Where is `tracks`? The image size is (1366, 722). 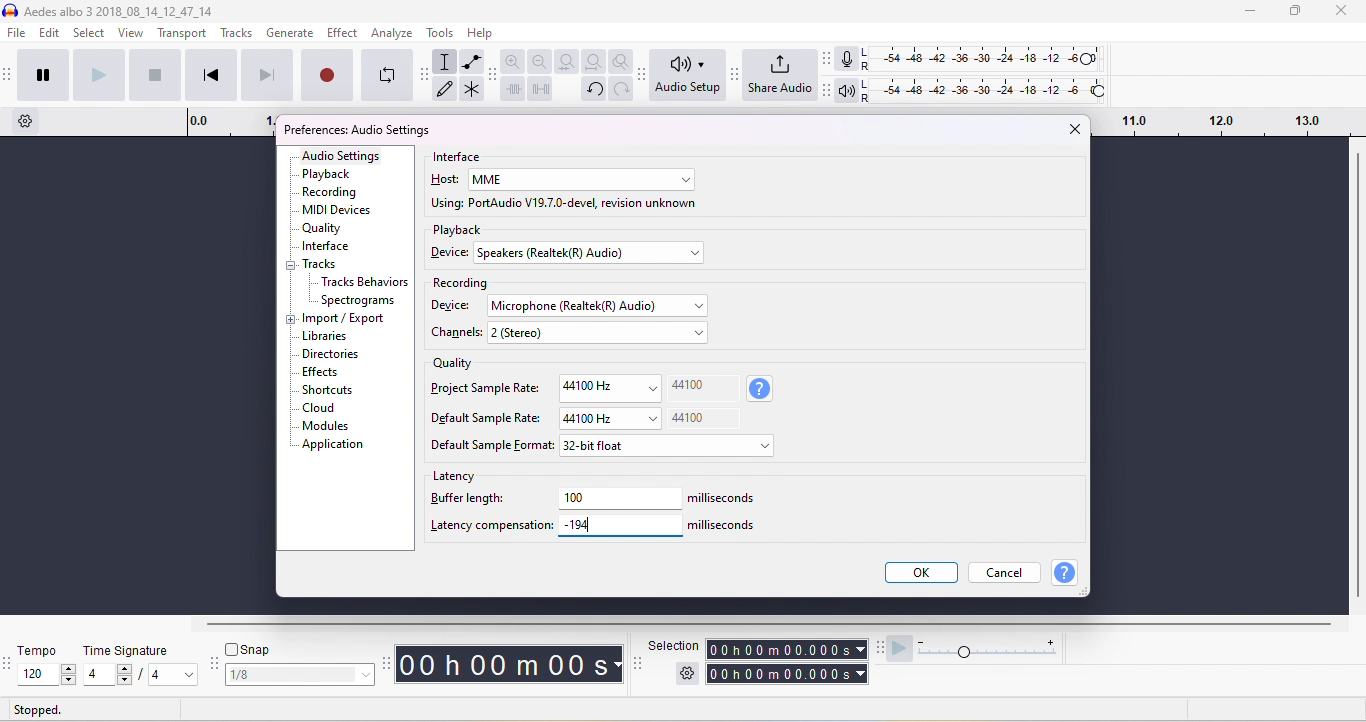
tracks is located at coordinates (320, 265).